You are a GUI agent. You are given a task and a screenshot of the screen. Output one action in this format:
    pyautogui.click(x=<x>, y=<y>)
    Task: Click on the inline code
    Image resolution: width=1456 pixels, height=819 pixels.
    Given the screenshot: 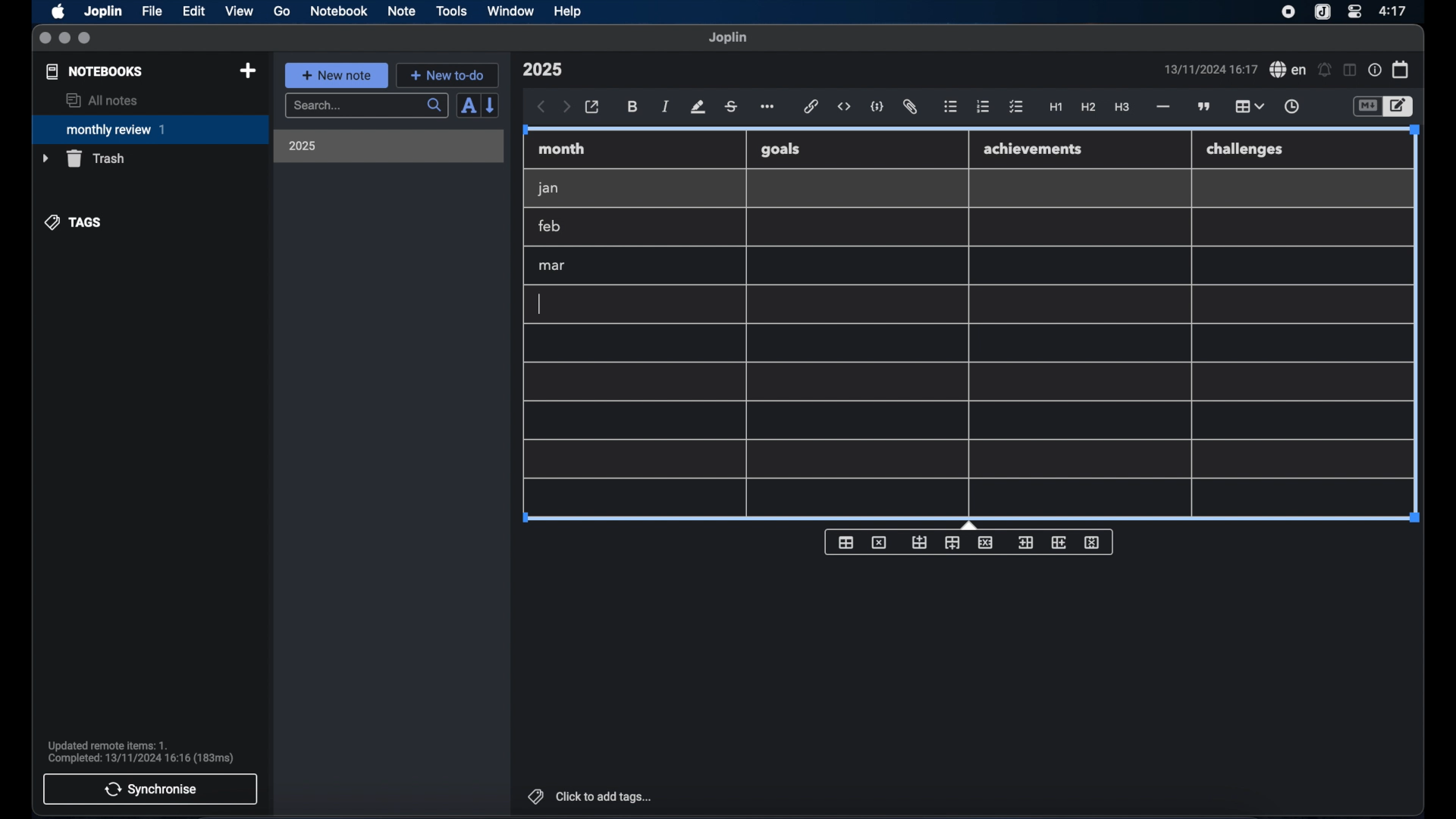 What is the action you would take?
    pyautogui.click(x=844, y=107)
    